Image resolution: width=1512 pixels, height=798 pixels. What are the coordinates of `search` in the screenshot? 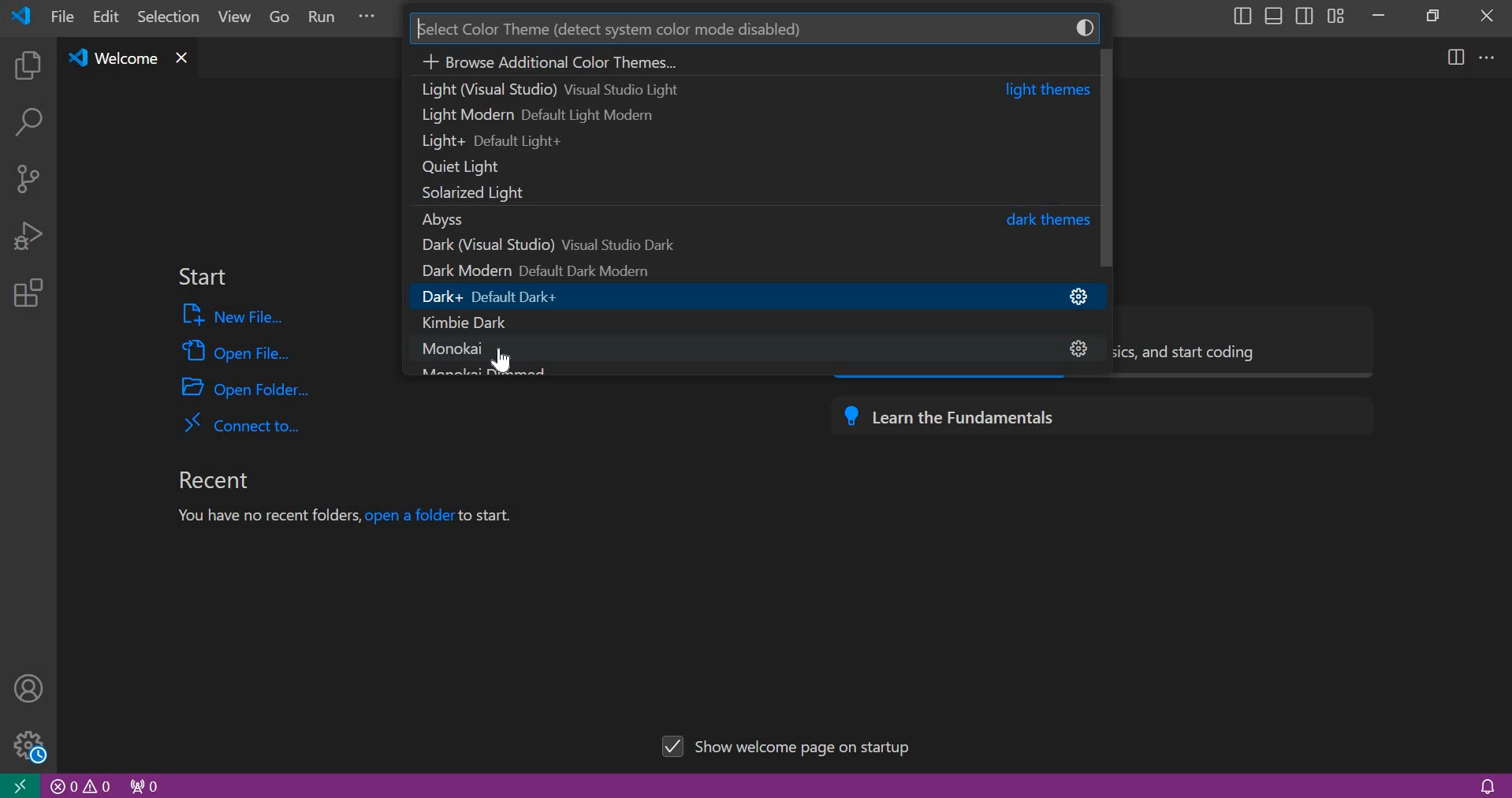 It's located at (28, 125).